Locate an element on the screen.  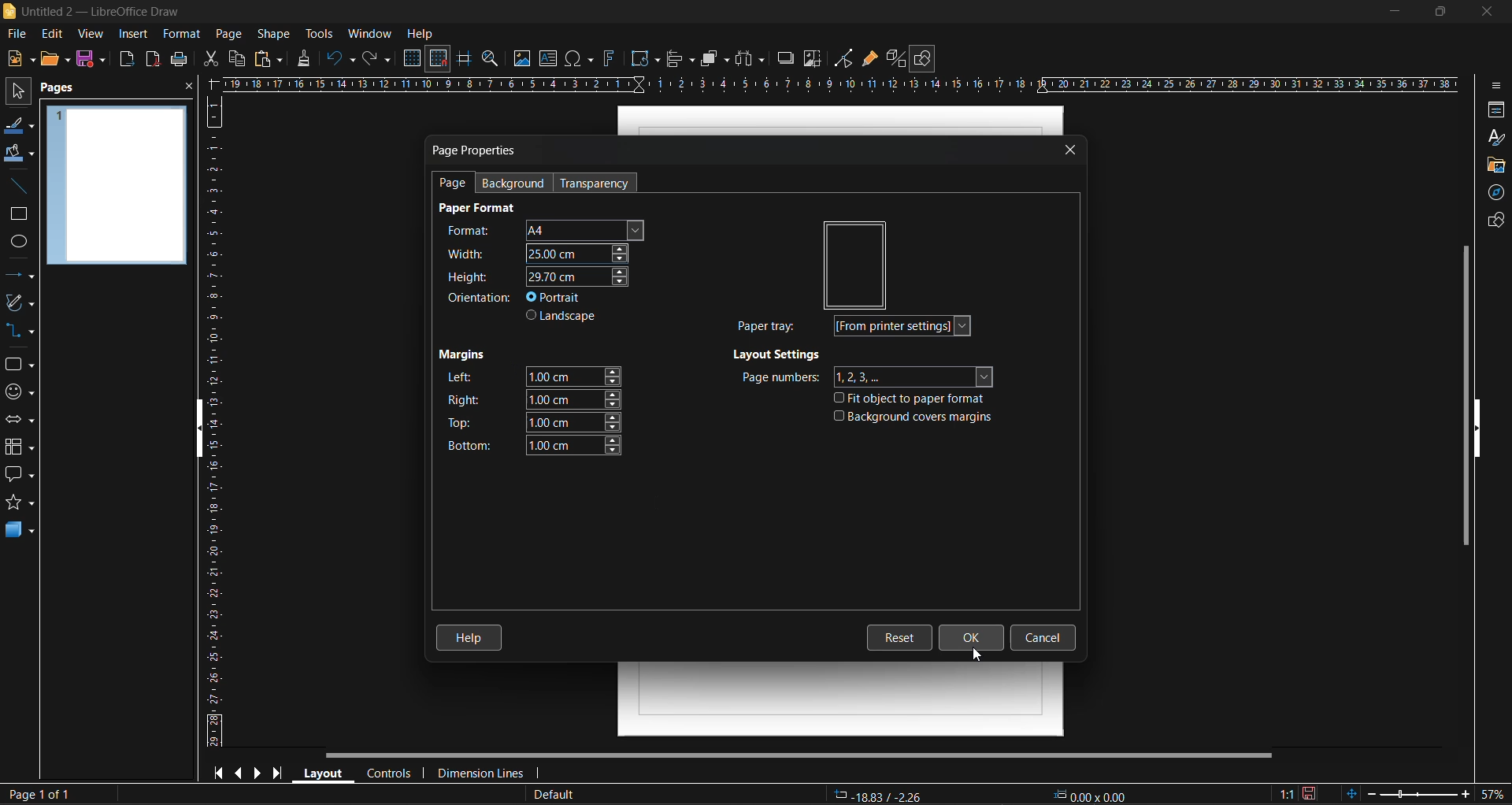
3d objects is located at coordinates (23, 533).